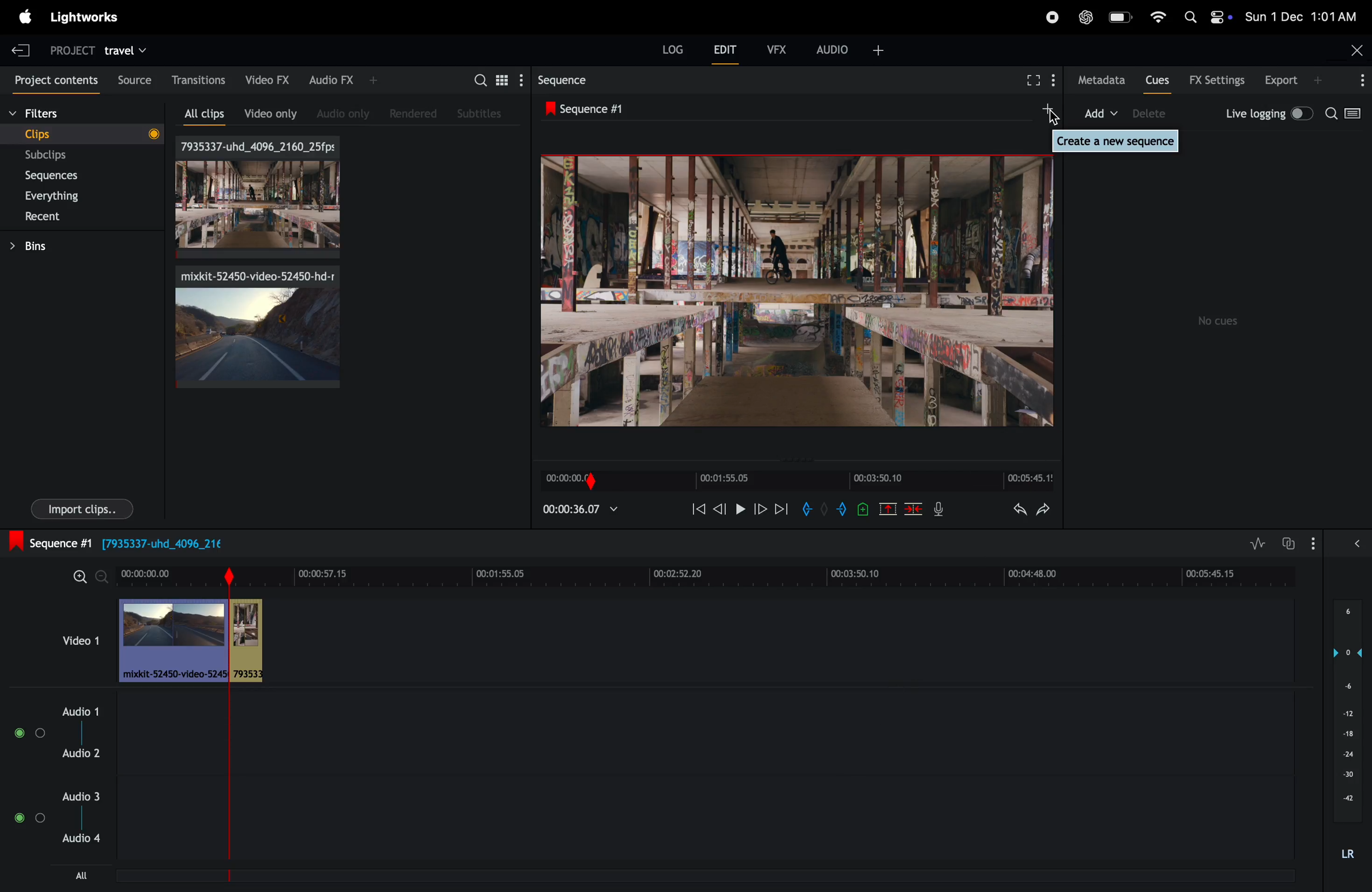 The width and height of the screenshot is (1372, 892). What do you see at coordinates (270, 112) in the screenshot?
I see `video only` at bounding box center [270, 112].